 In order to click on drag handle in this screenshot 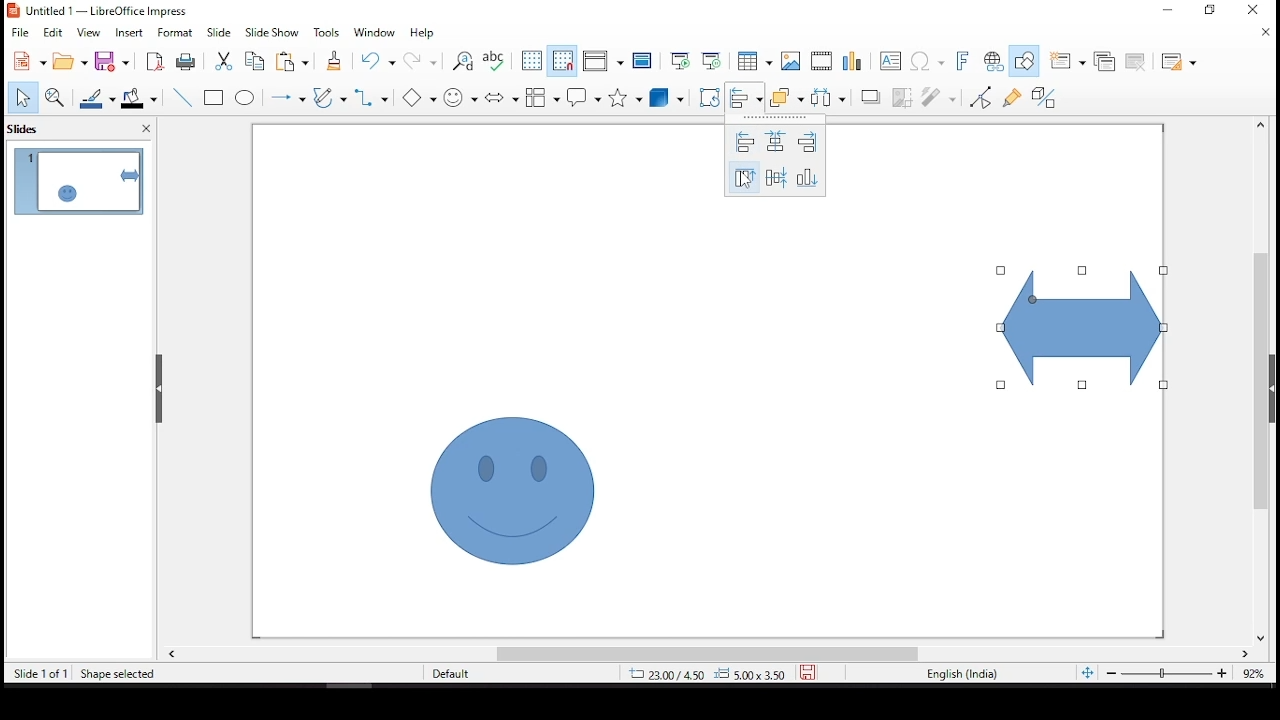, I will do `click(161, 389)`.